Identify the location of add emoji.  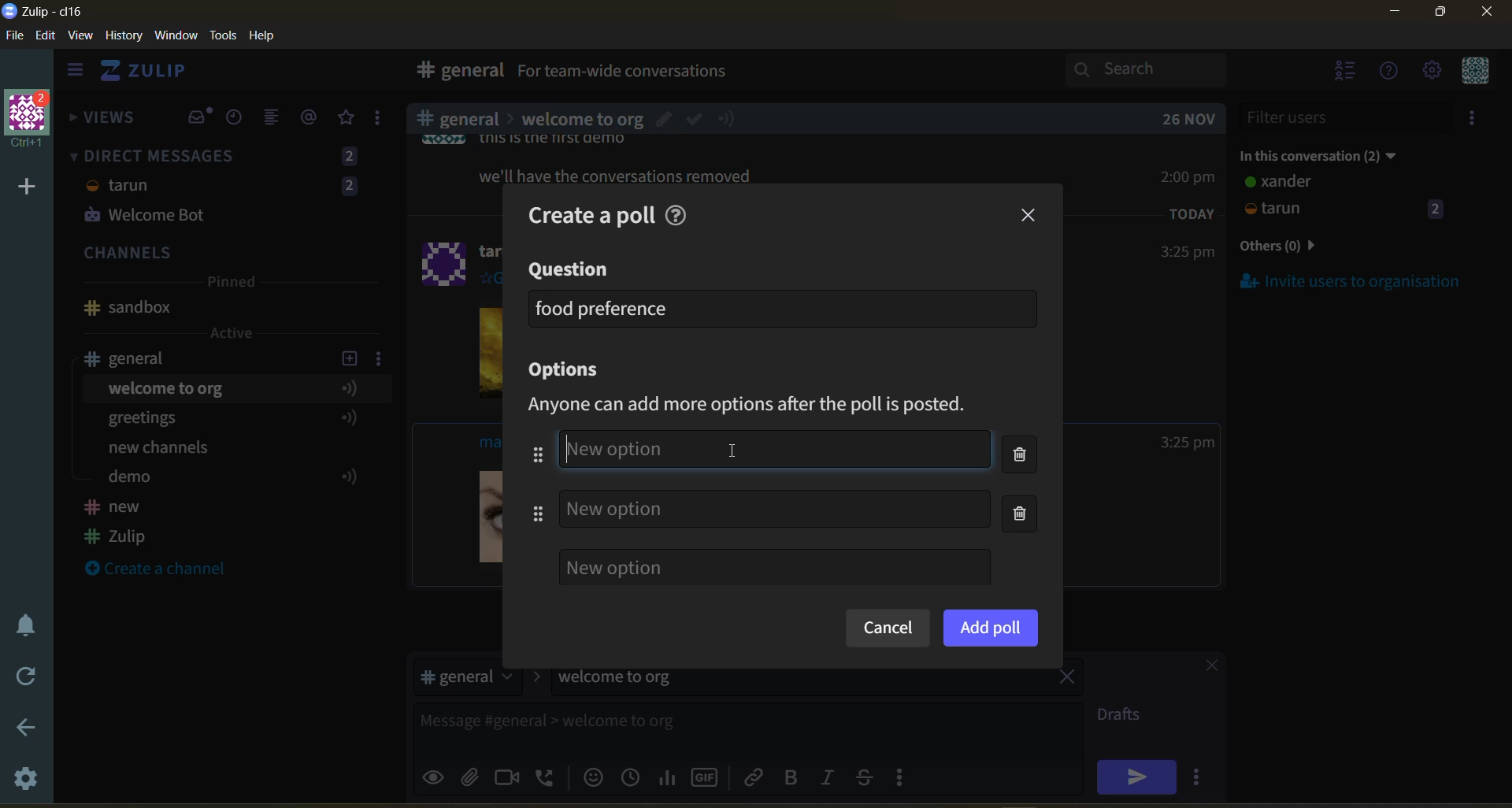
(591, 776).